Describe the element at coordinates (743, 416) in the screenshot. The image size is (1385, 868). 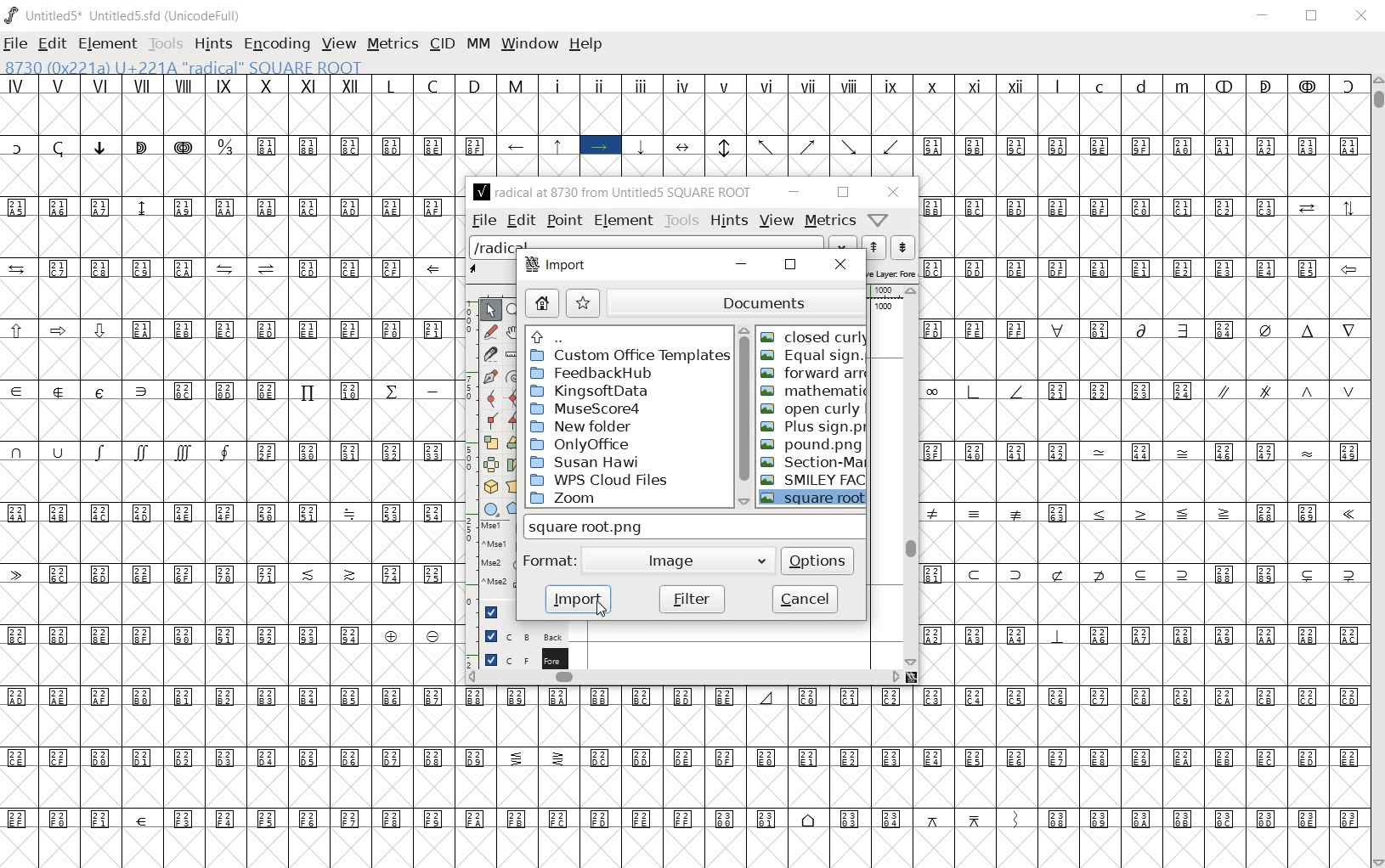
I see `scrollbar` at that location.